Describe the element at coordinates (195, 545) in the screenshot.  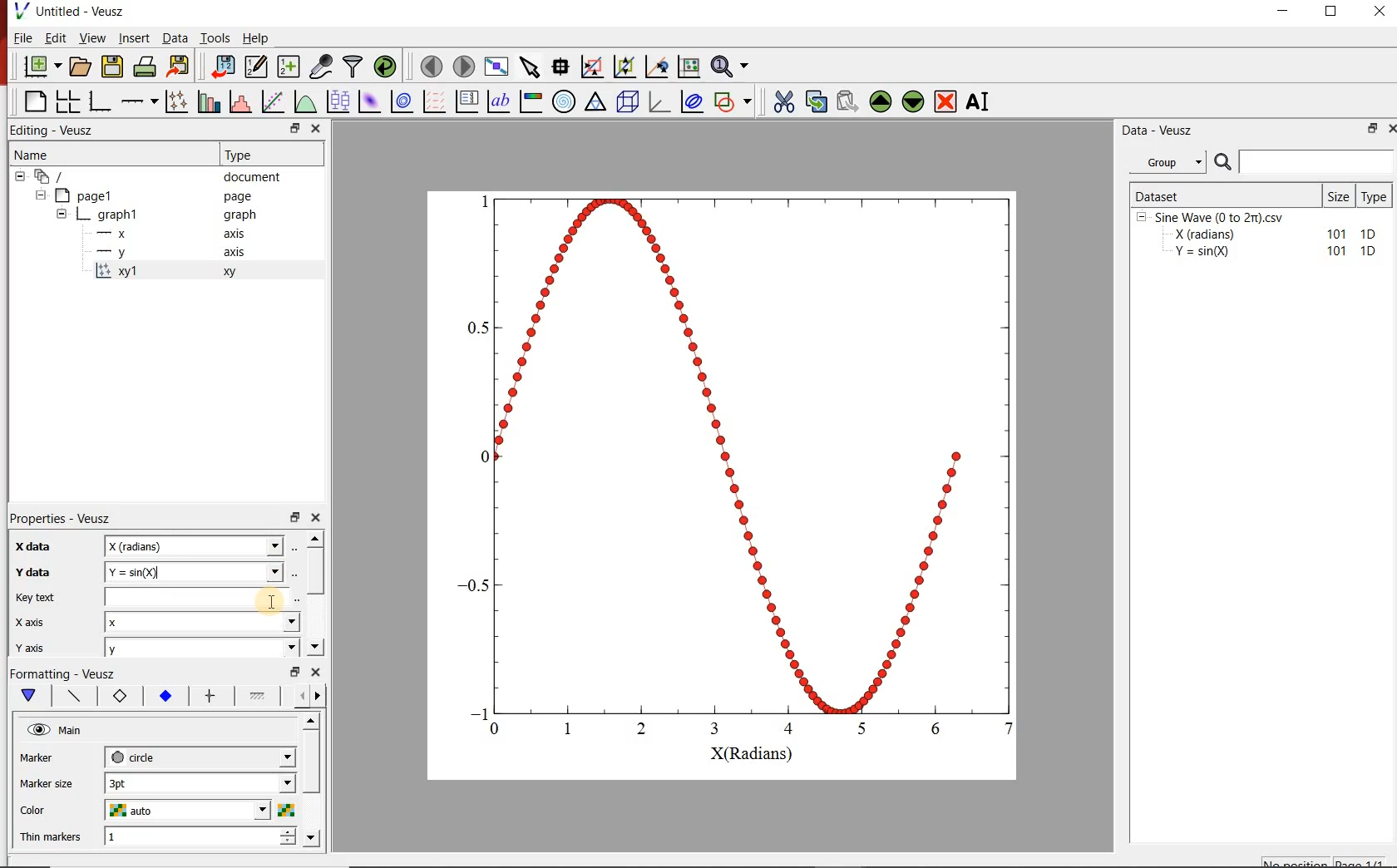
I see `Textbox` at that location.